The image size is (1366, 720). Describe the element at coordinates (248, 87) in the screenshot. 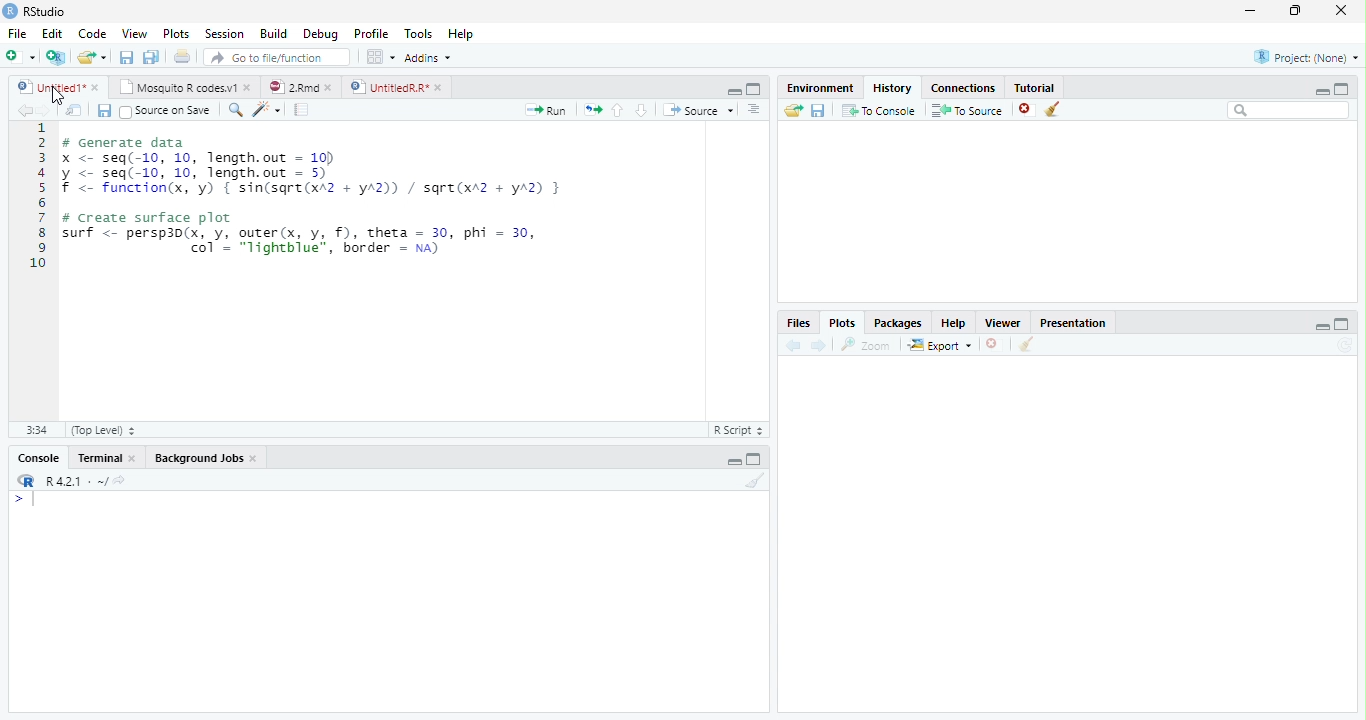

I see `close` at that location.